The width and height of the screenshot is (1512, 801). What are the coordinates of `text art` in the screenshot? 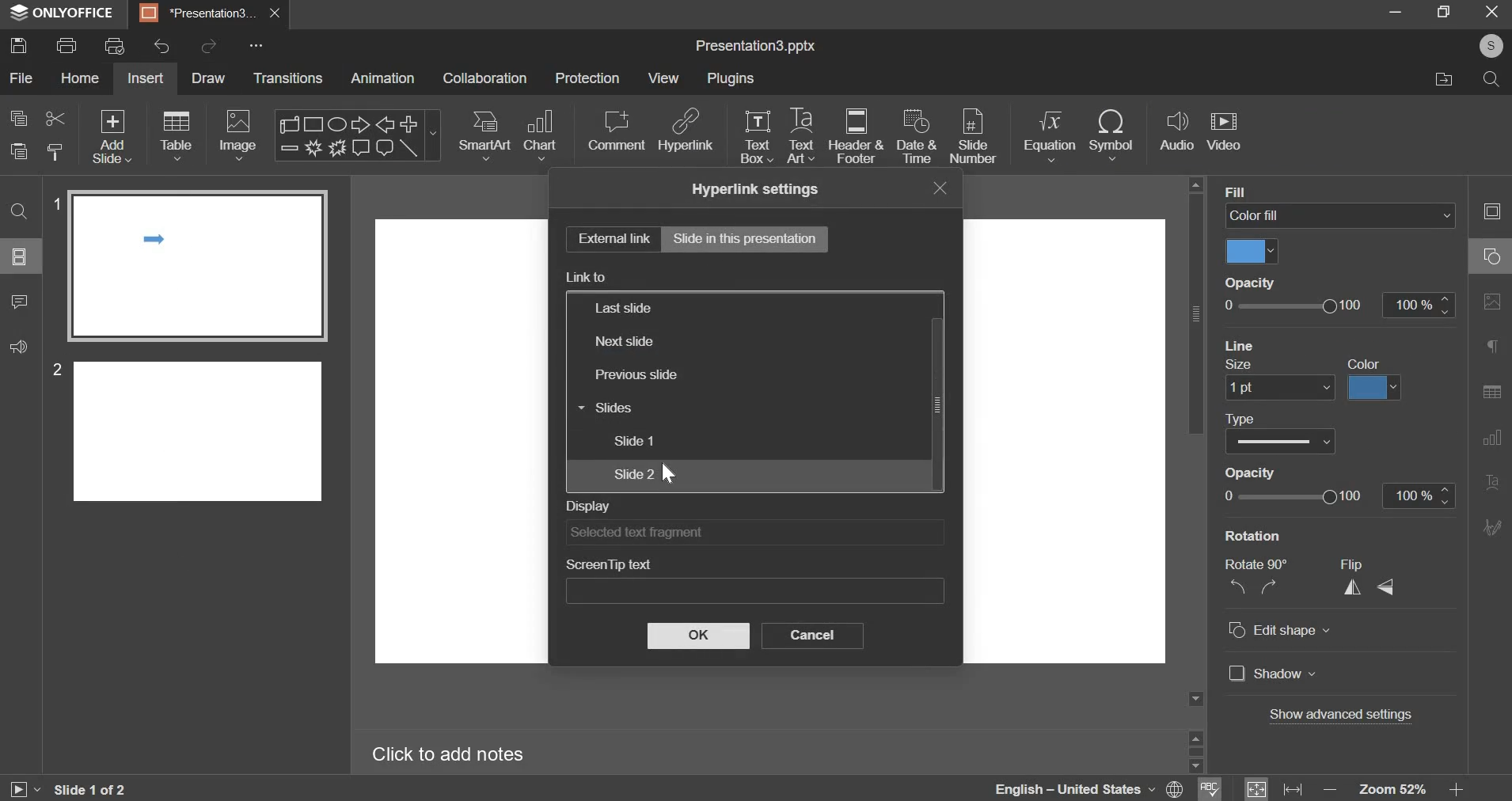 It's located at (800, 135).